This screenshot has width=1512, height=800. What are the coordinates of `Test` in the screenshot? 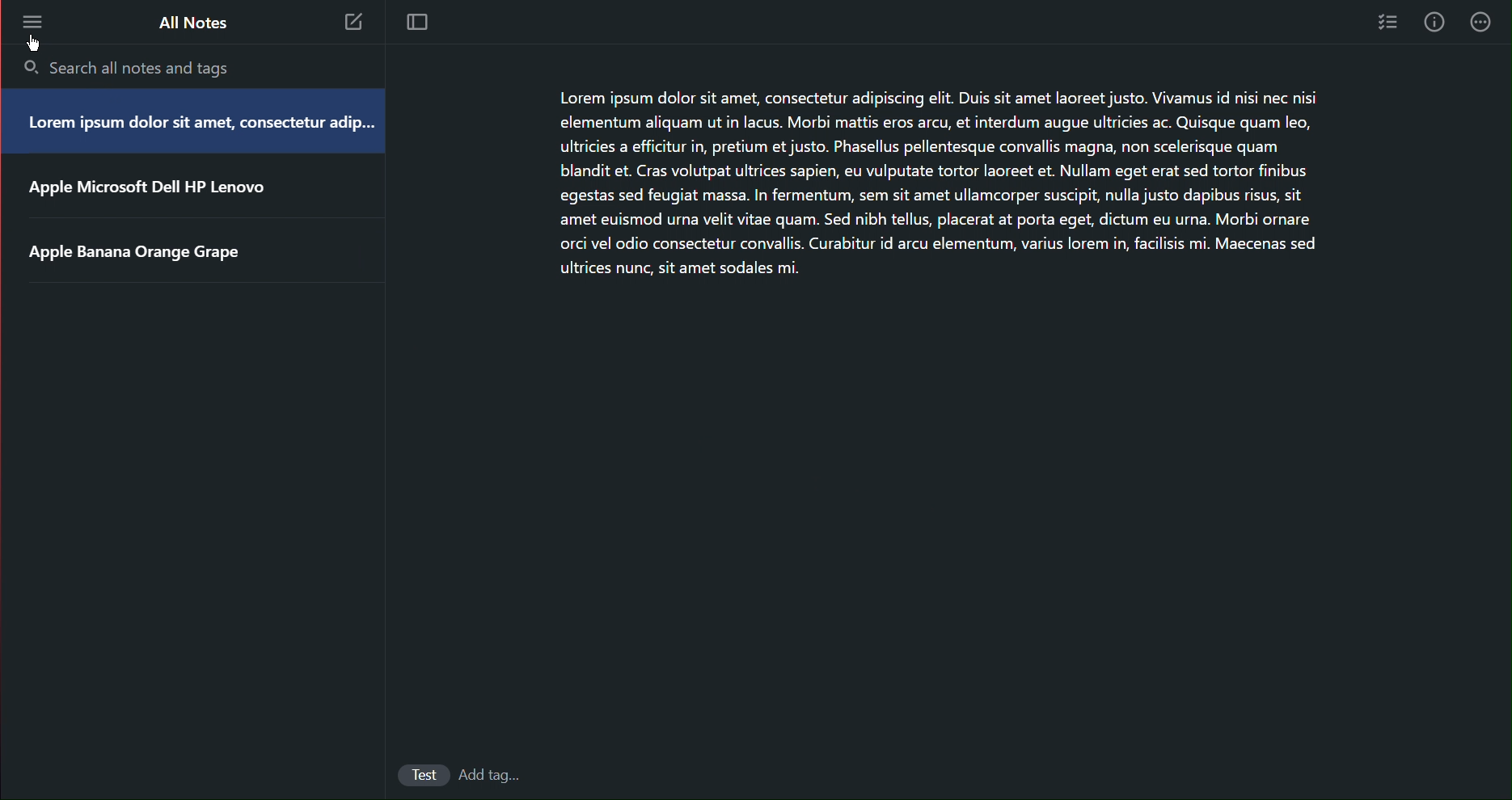 It's located at (423, 773).